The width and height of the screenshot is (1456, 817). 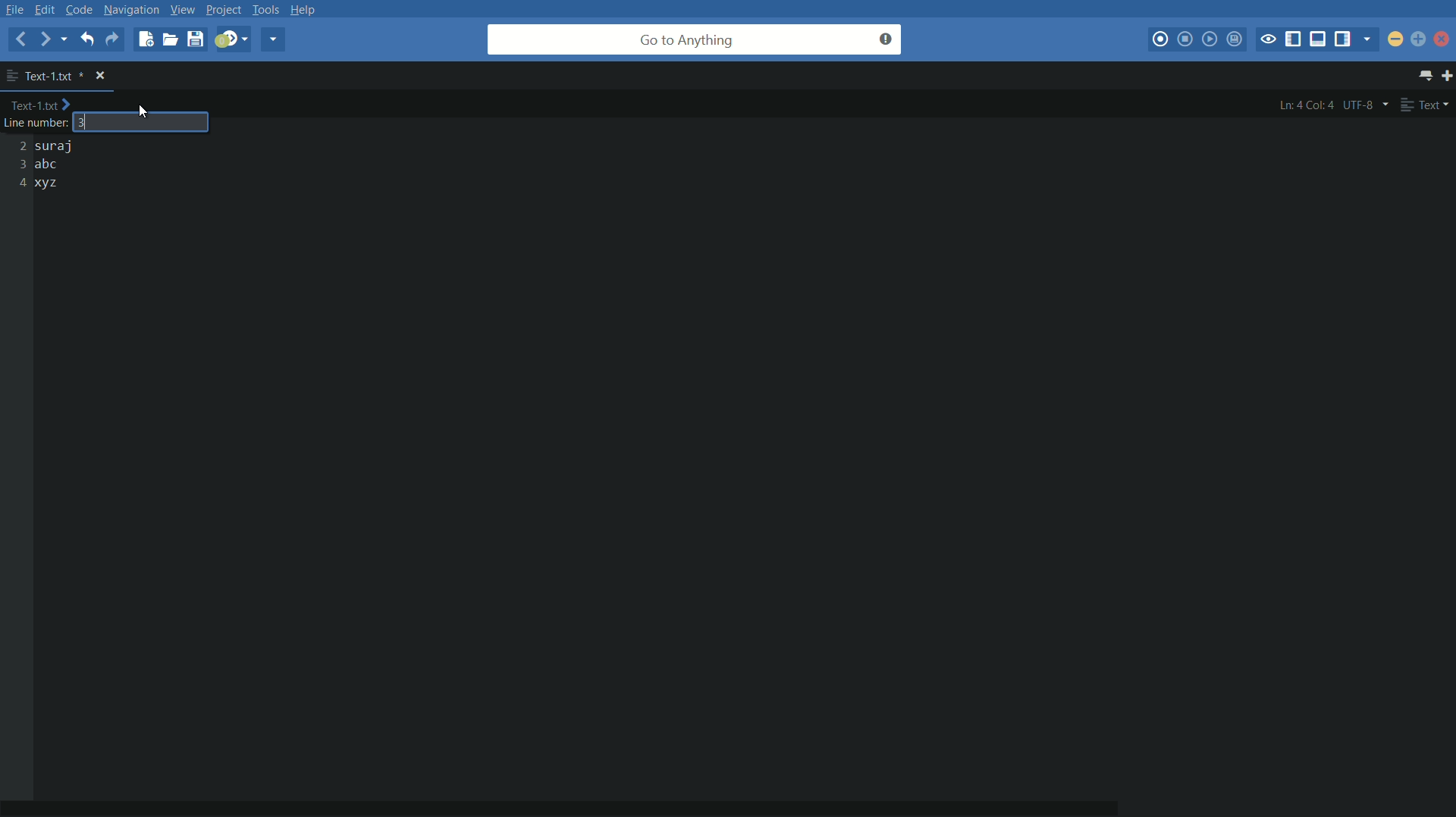 What do you see at coordinates (695, 39) in the screenshot?
I see `go to anything` at bounding box center [695, 39].